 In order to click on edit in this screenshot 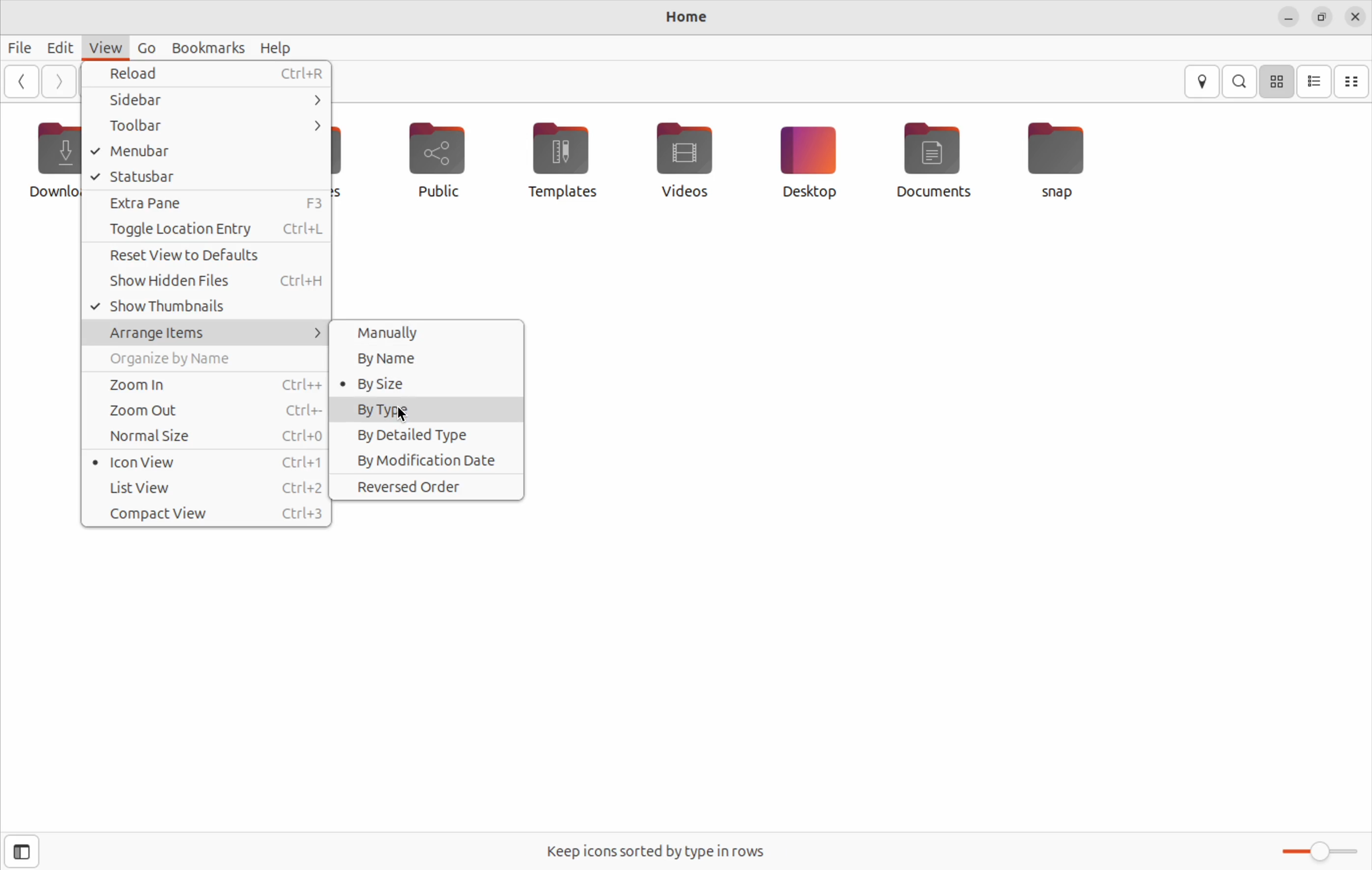, I will do `click(52, 46)`.